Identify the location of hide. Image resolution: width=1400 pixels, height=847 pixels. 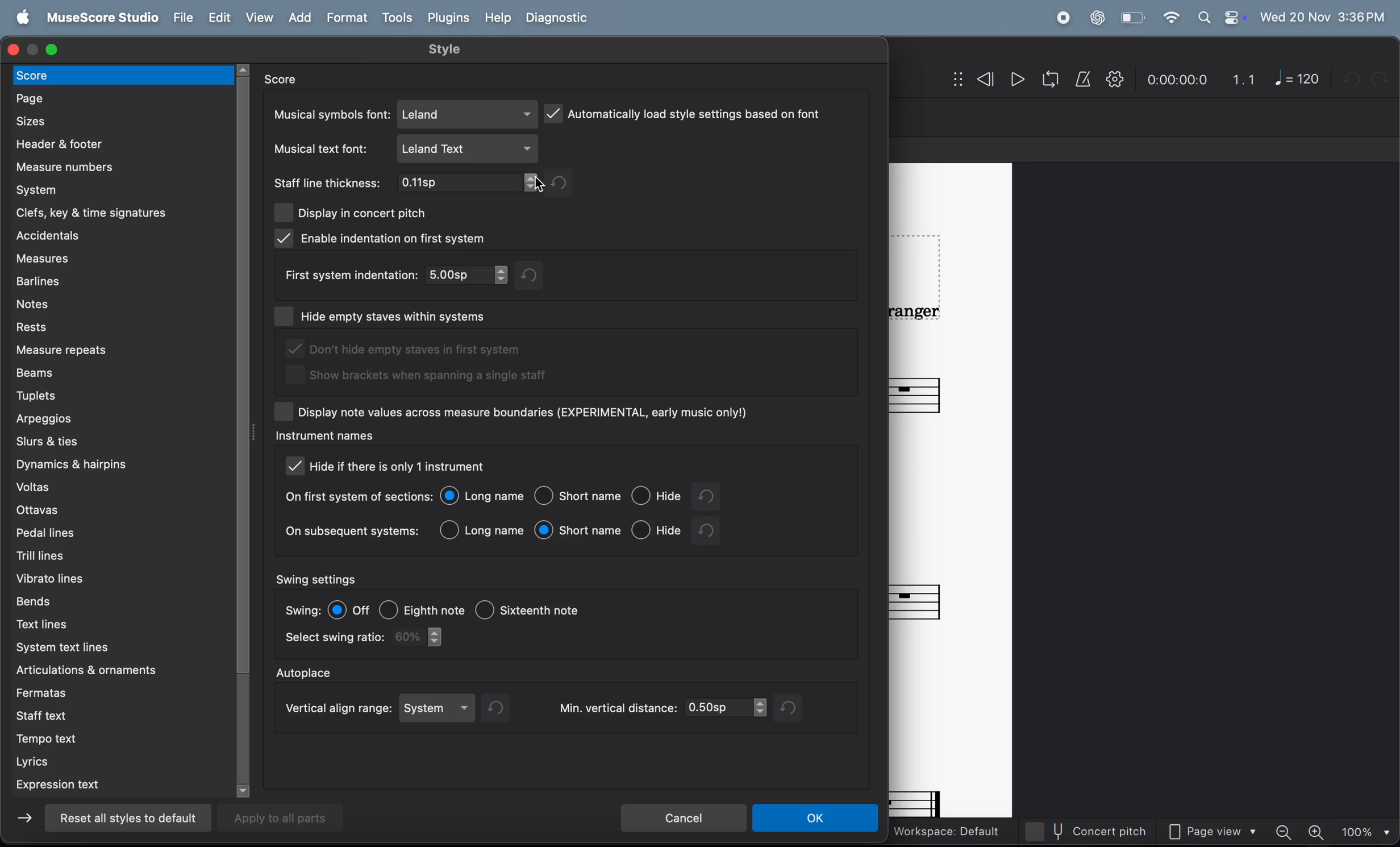
(659, 497).